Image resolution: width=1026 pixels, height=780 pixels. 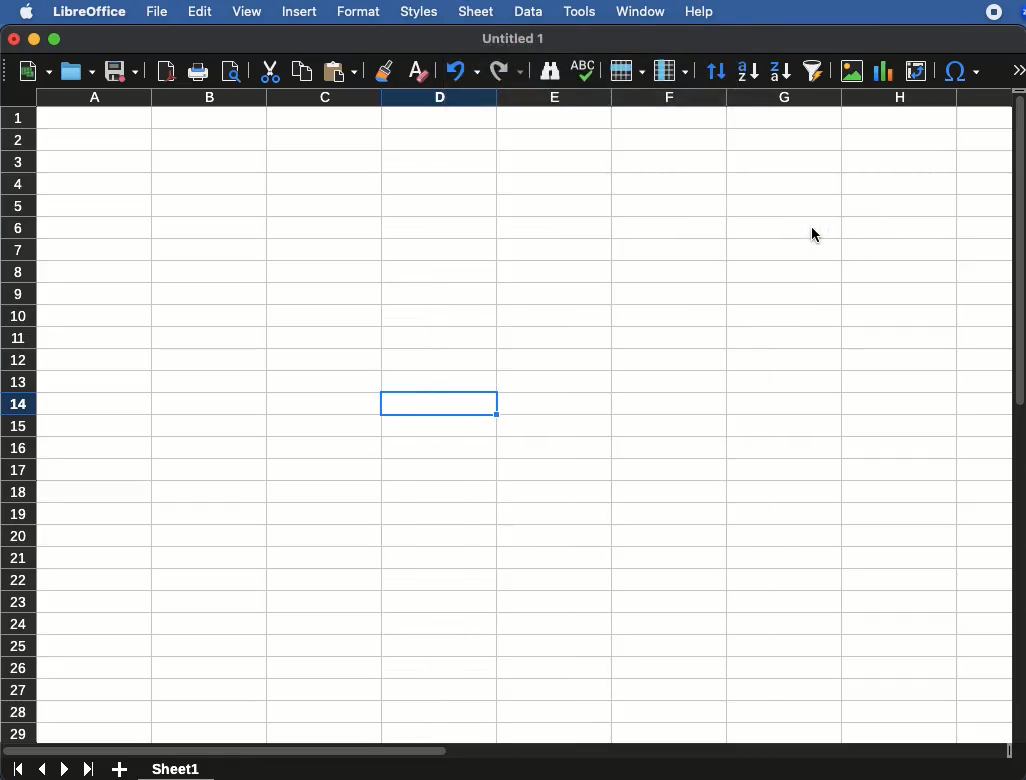 What do you see at coordinates (199, 12) in the screenshot?
I see `edit` at bounding box center [199, 12].